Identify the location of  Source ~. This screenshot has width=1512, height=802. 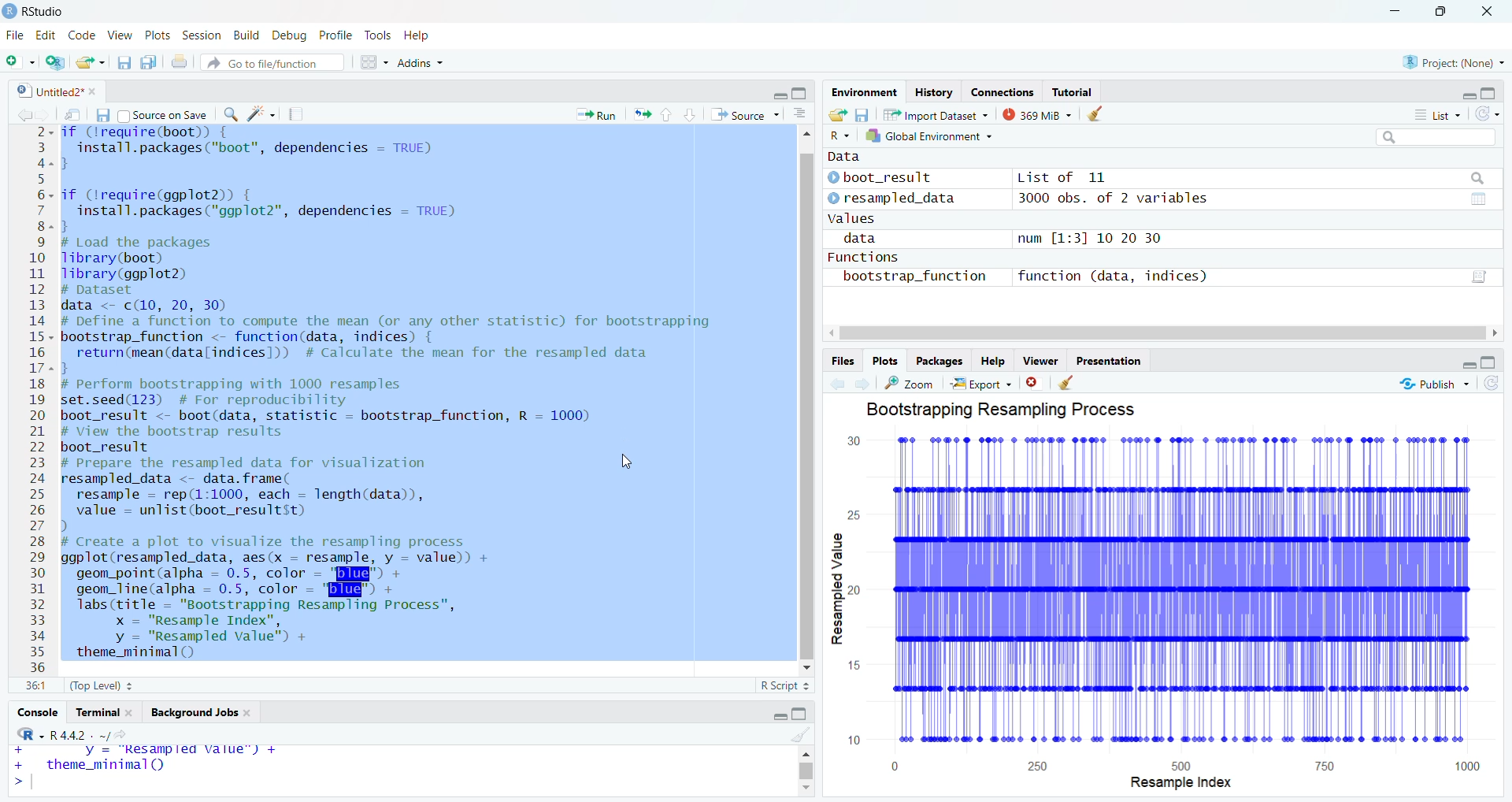
(749, 114).